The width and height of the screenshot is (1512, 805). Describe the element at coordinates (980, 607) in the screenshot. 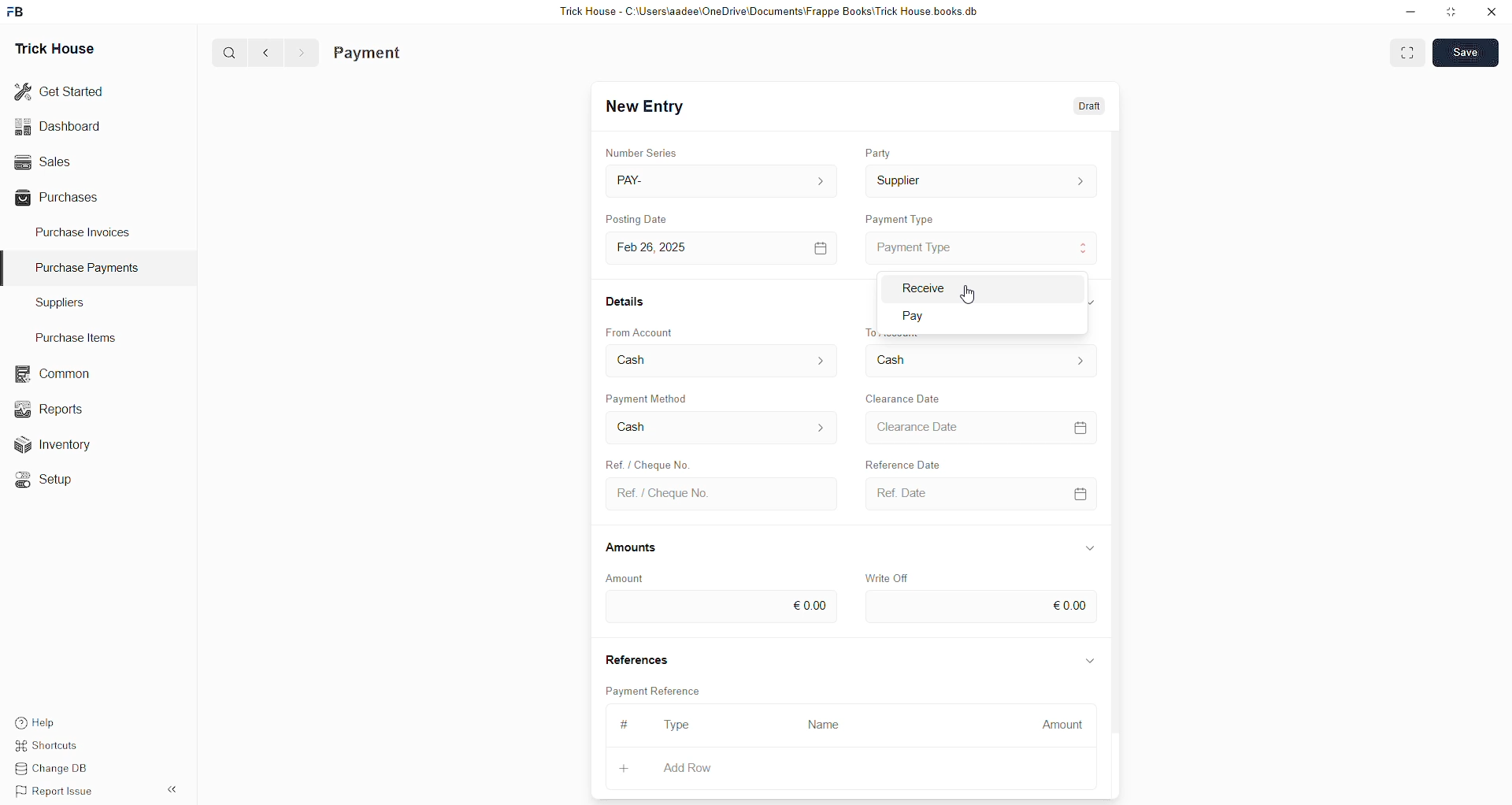

I see `€0.00` at that location.